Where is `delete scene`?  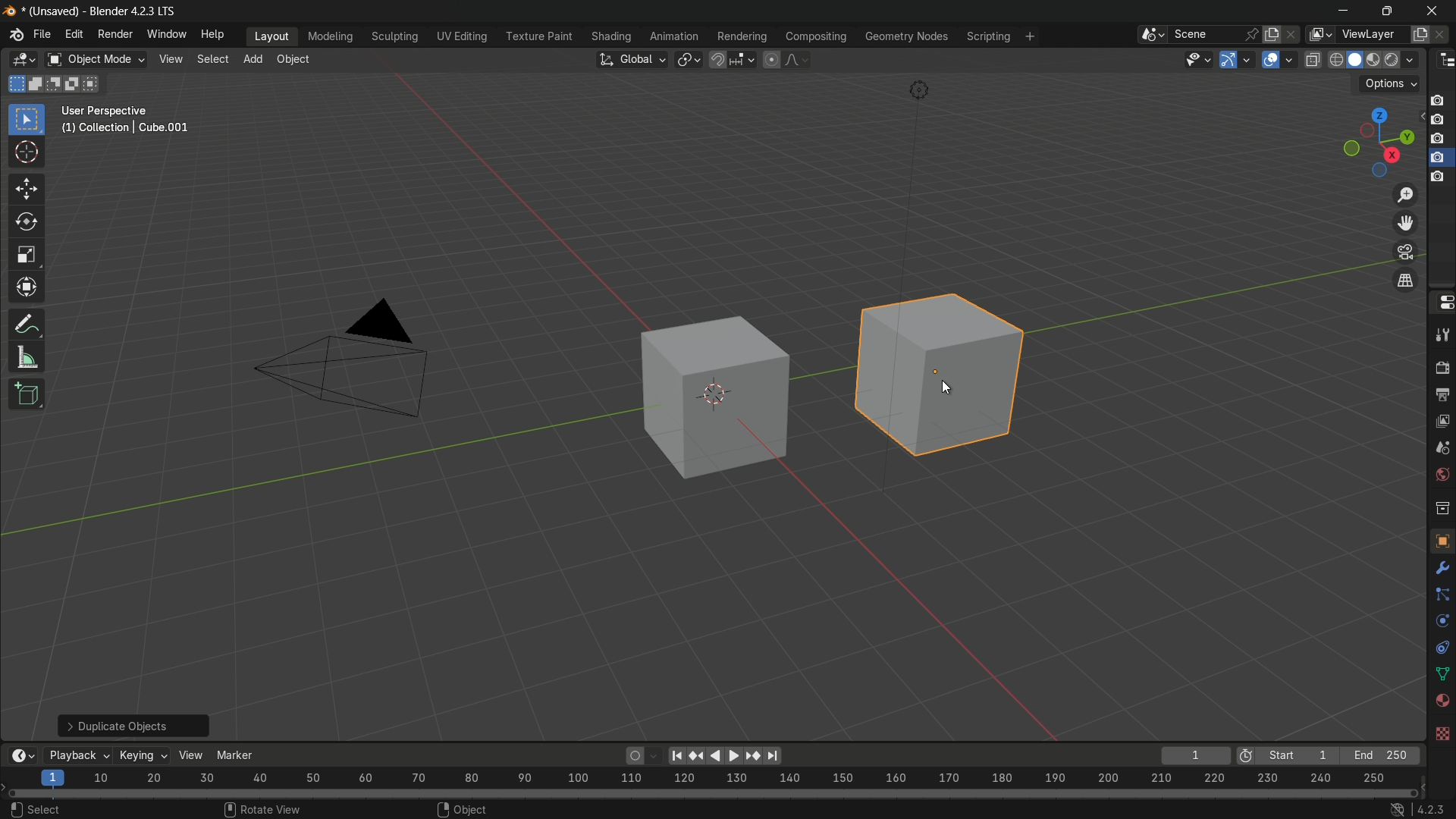 delete scene is located at coordinates (1290, 33).